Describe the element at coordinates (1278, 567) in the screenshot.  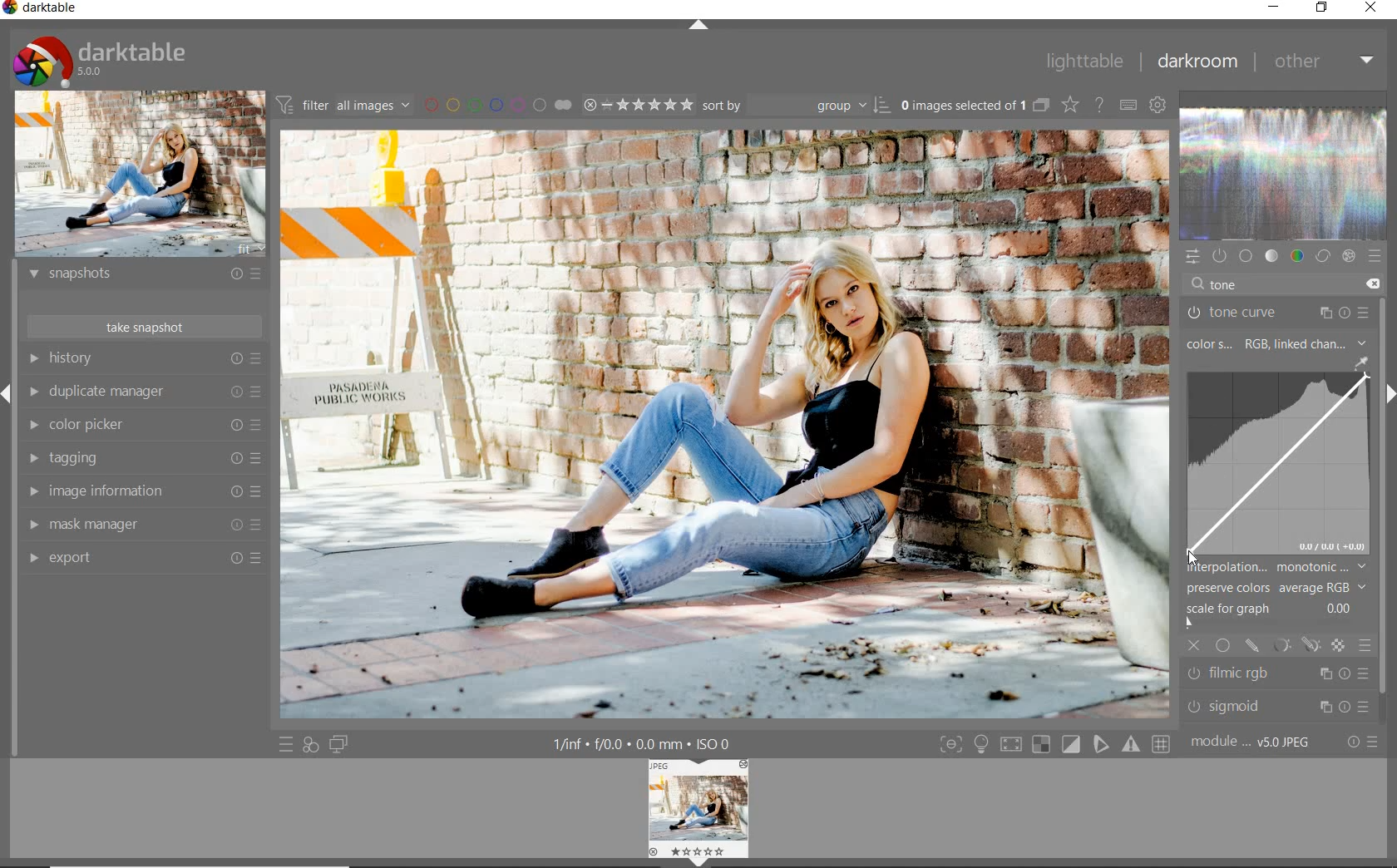
I see `interpolation` at that location.